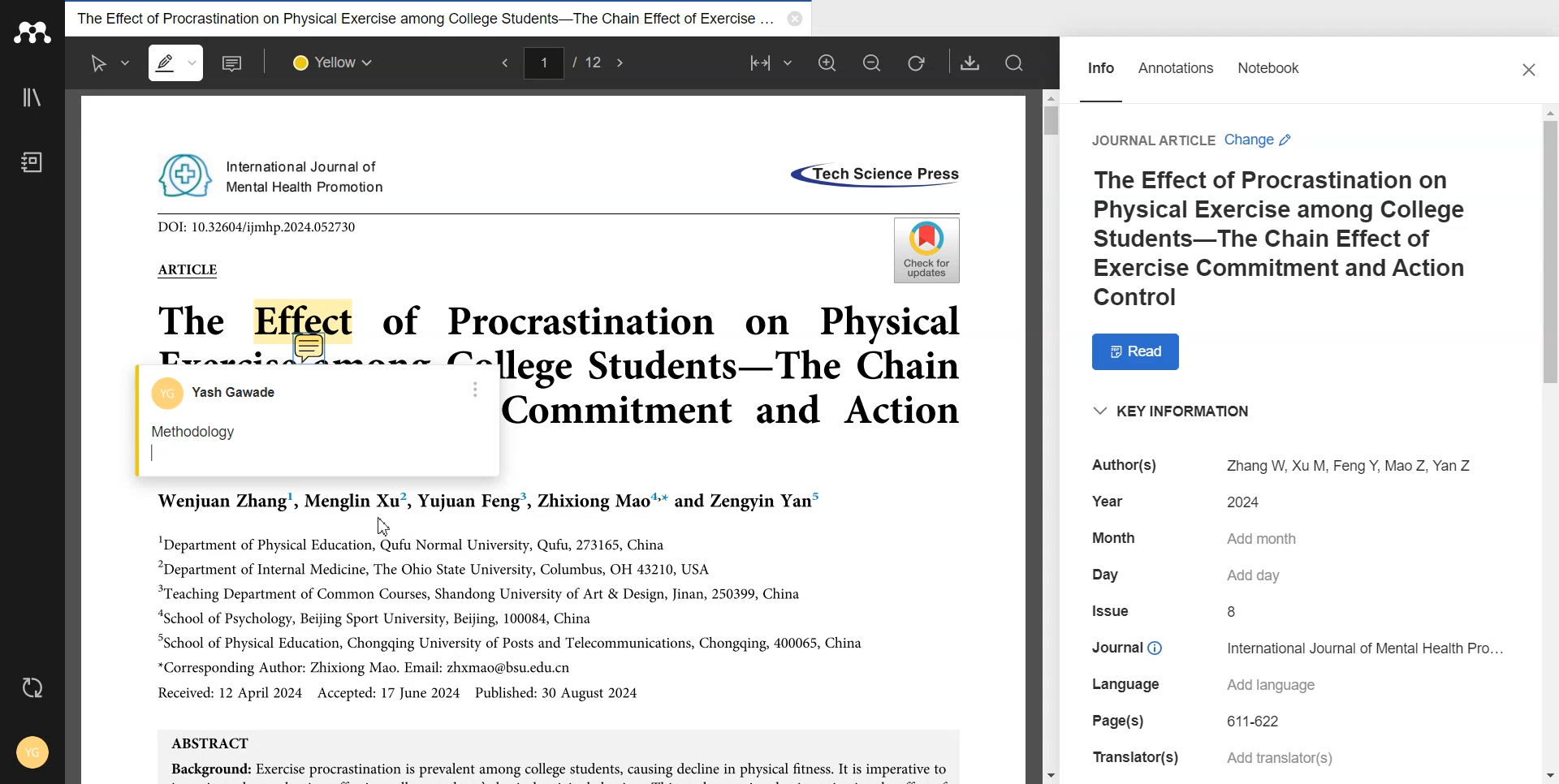  Describe the element at coordinates (1532, 72) in the screenshot. I see `Close` at that location.